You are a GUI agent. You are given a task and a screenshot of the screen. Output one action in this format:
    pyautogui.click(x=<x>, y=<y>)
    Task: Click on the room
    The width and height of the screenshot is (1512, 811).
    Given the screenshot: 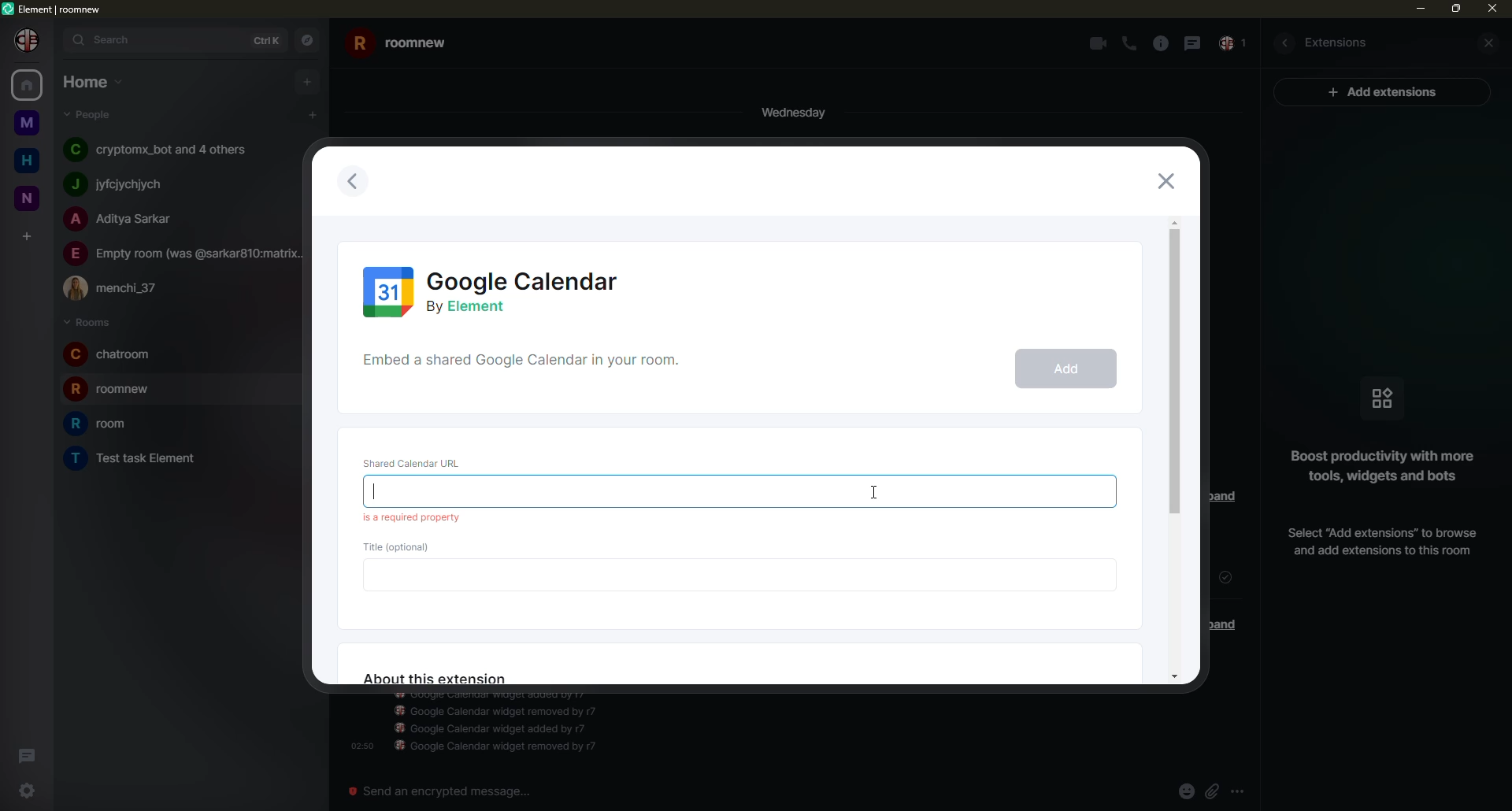 What is the action you would take?
    pyautogui.click(x=30, y=198)
    